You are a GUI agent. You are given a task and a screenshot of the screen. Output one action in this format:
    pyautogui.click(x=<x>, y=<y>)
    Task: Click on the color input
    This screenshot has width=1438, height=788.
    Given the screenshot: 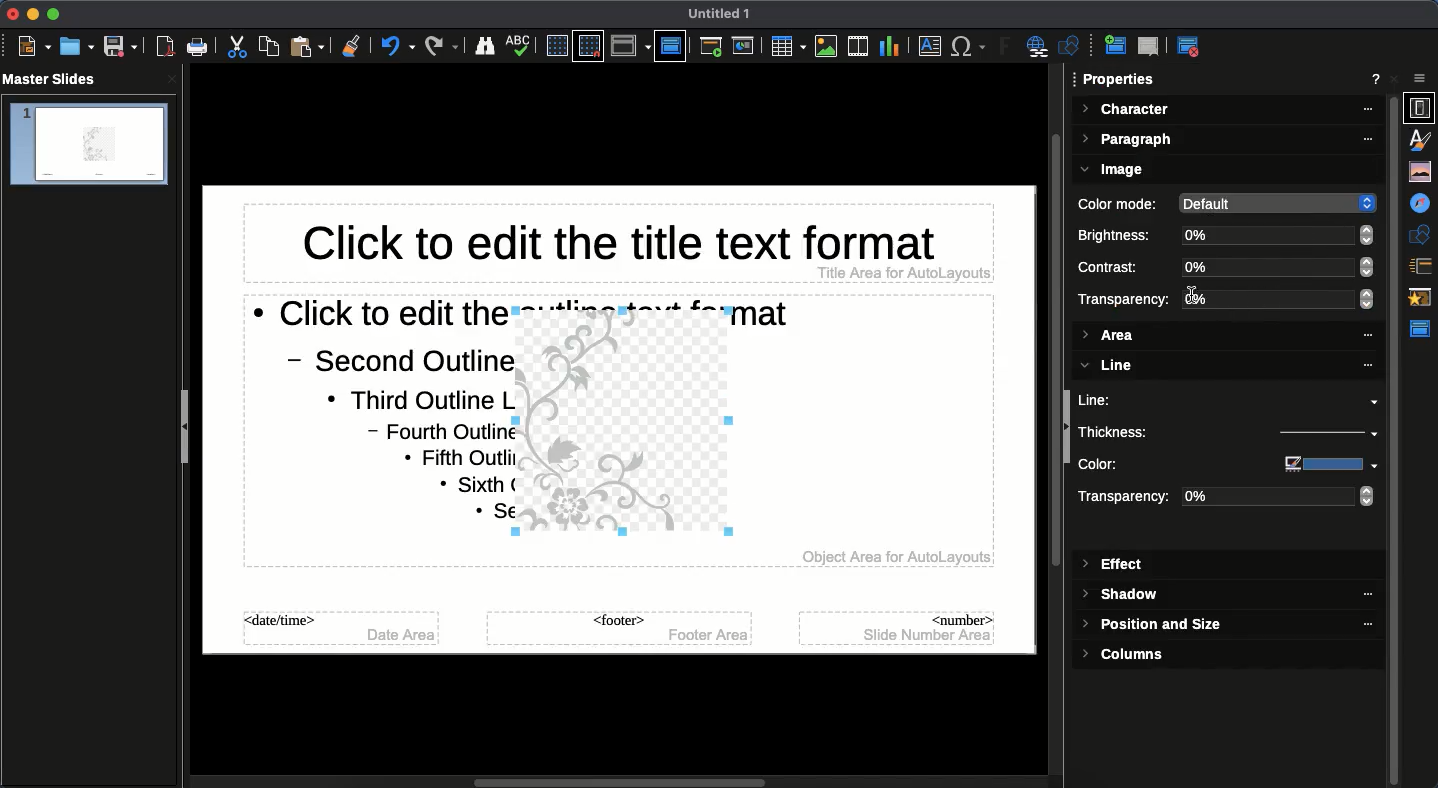 What is the action you would take?
    pyautogui.click(x=1322, y=464)
    